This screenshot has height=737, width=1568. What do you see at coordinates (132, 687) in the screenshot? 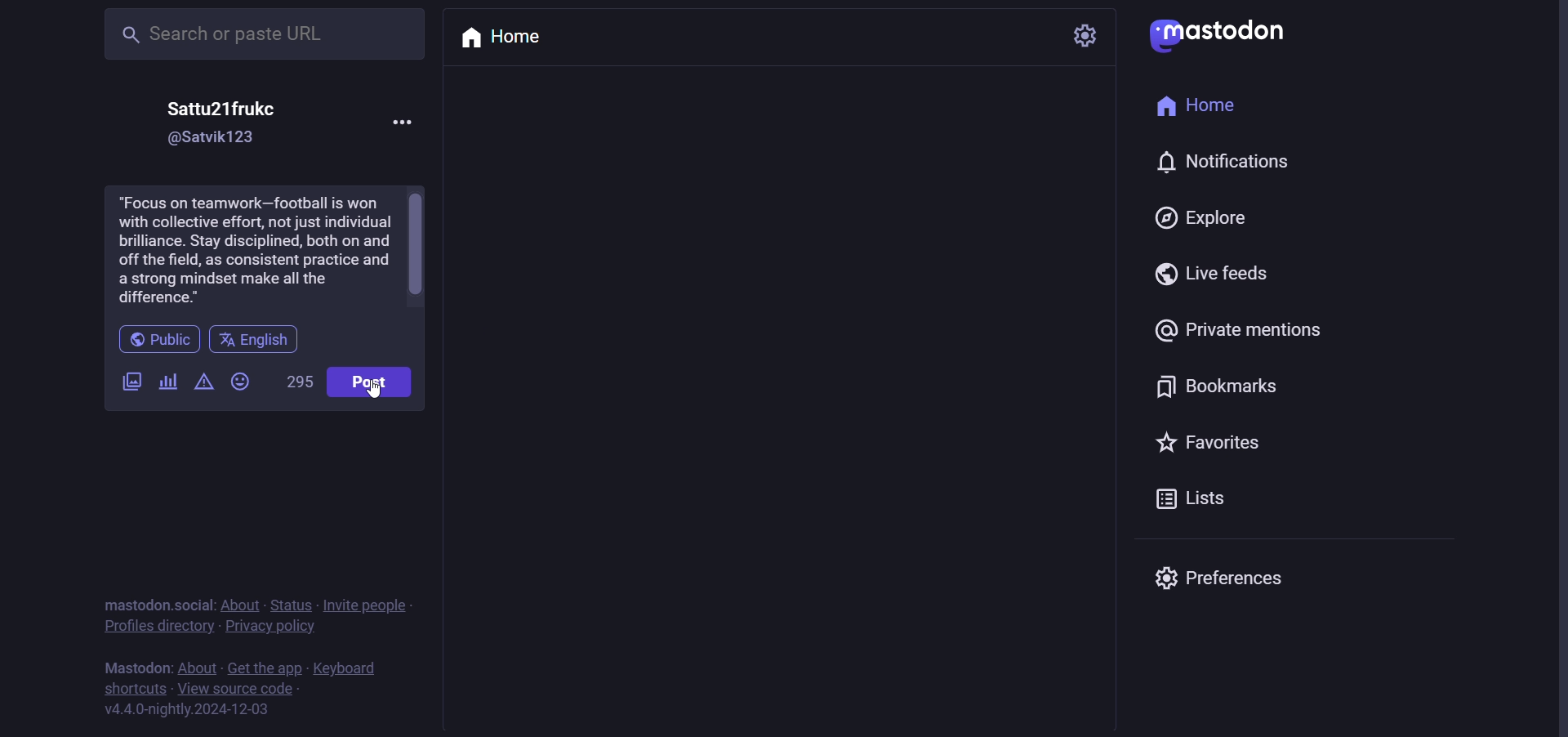
I see `shortcut` at bounding box center [132, 687].